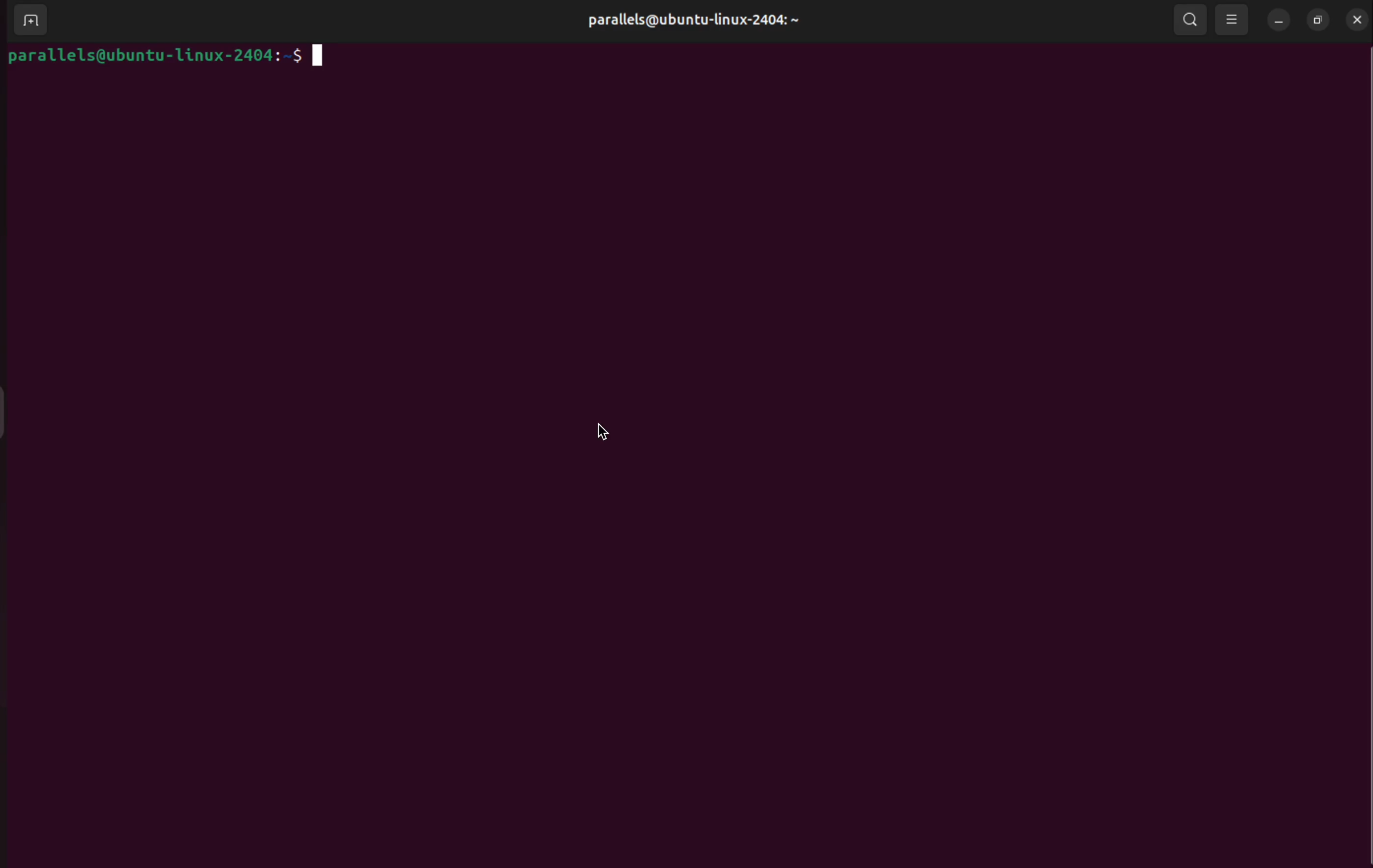  Describe the element at coordinates (34, 20) in the screenshot. I see `add terminal` at that location.